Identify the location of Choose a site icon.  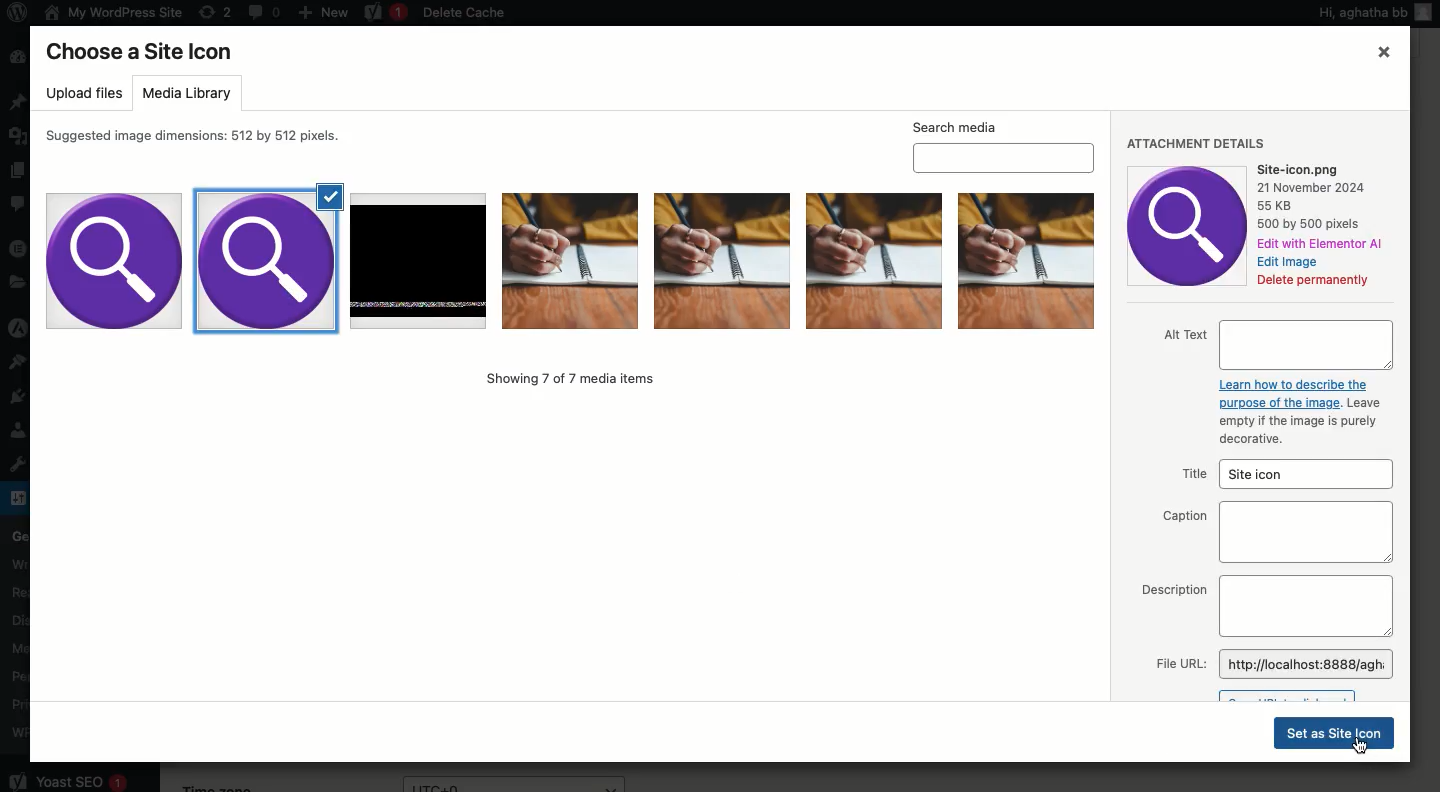
(142, 52).